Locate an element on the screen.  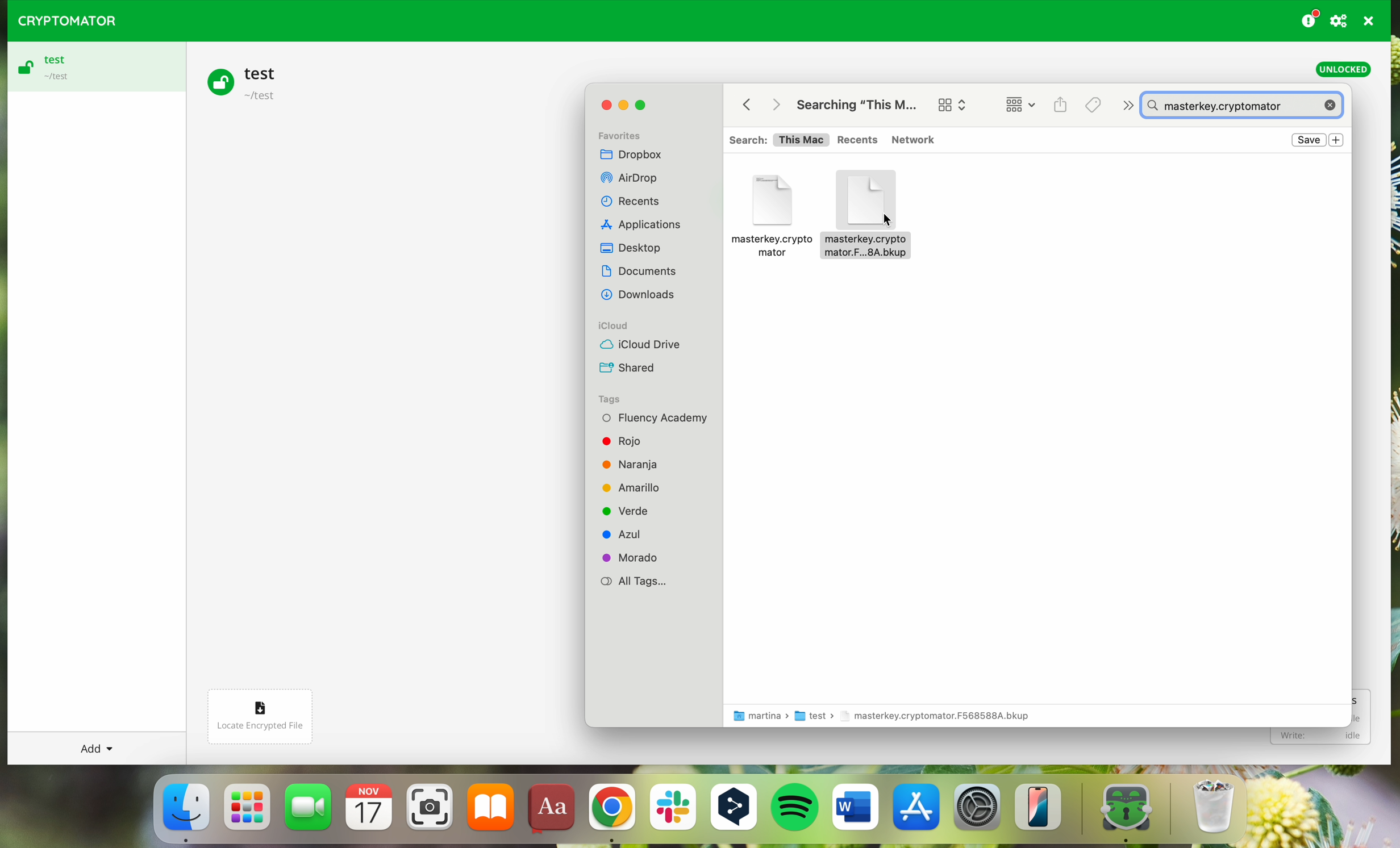
Amarillo is located at coordinates (641, 487).